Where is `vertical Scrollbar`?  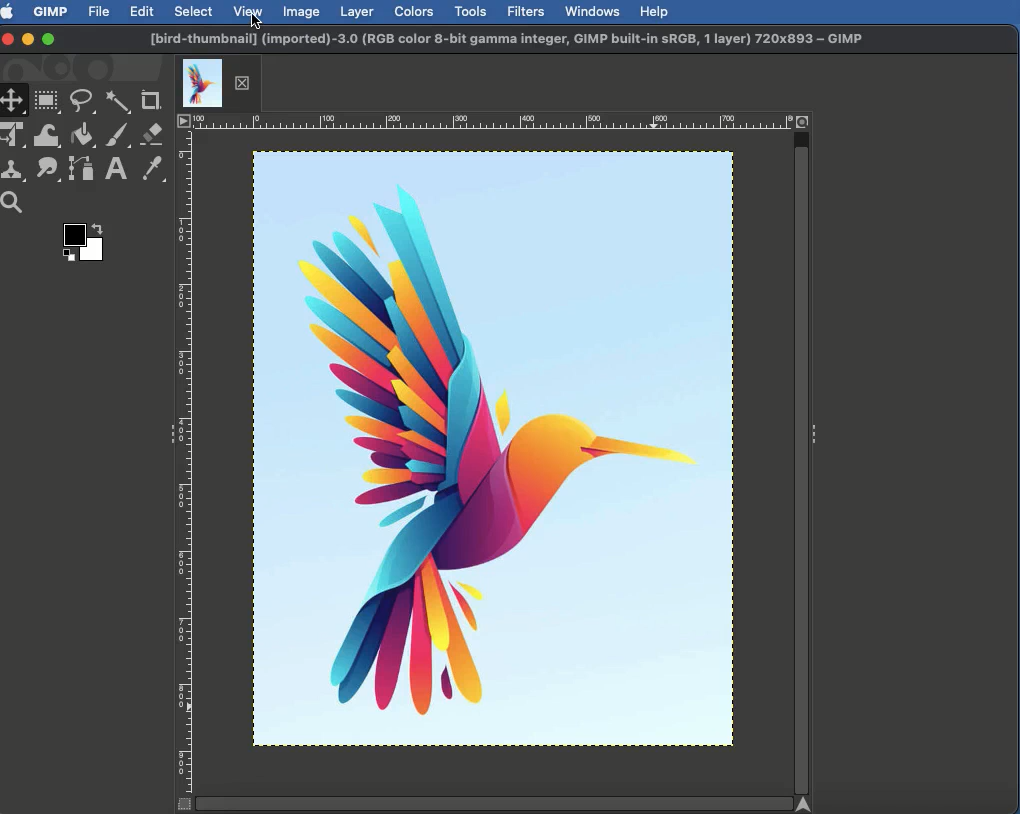 vertical Scrollbar is located at coordinates (802, 462).